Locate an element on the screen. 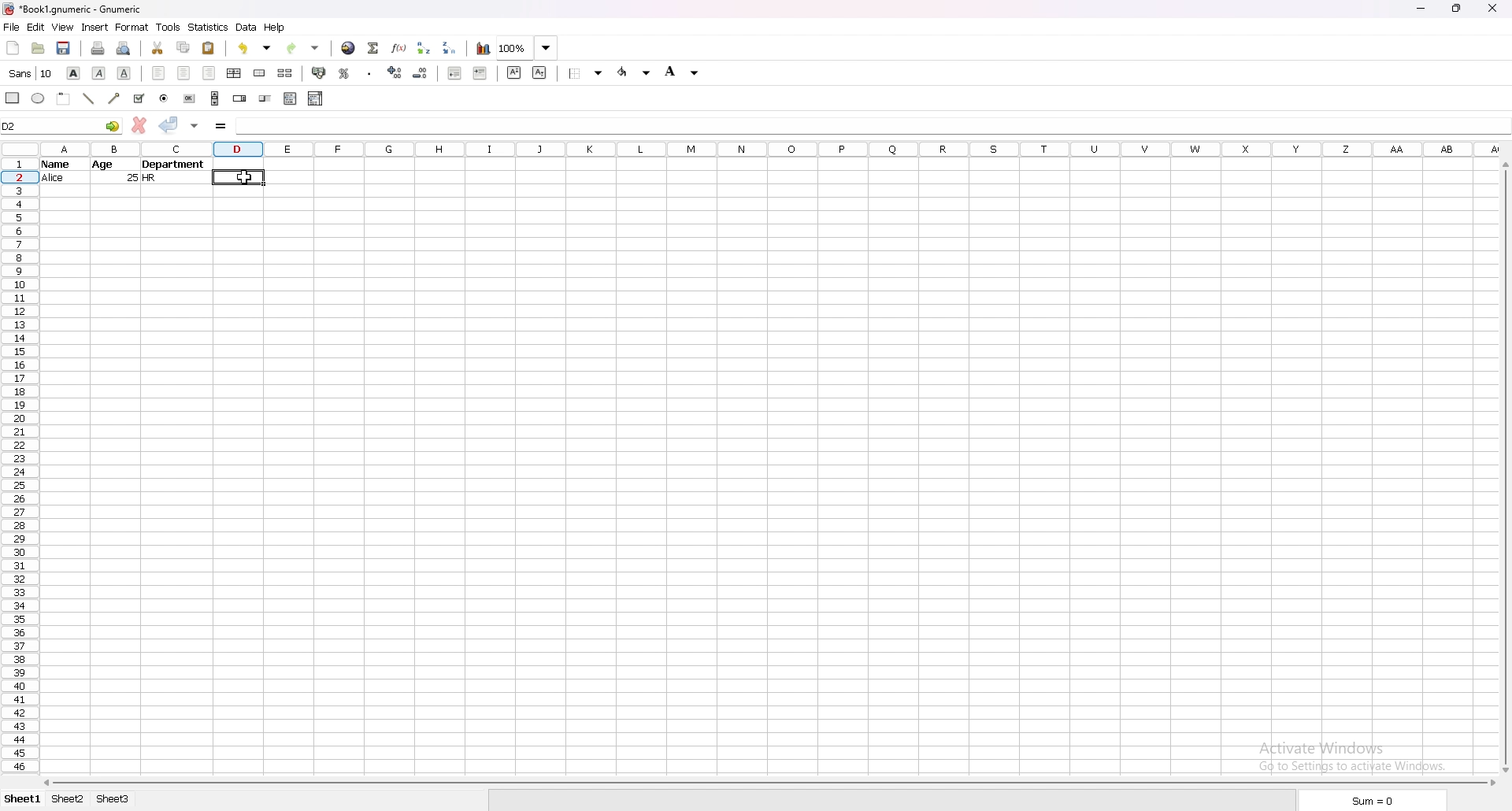 Image resolution: width=1512 pixels, height=811 pixels. open is located at coordinates (39, 49).